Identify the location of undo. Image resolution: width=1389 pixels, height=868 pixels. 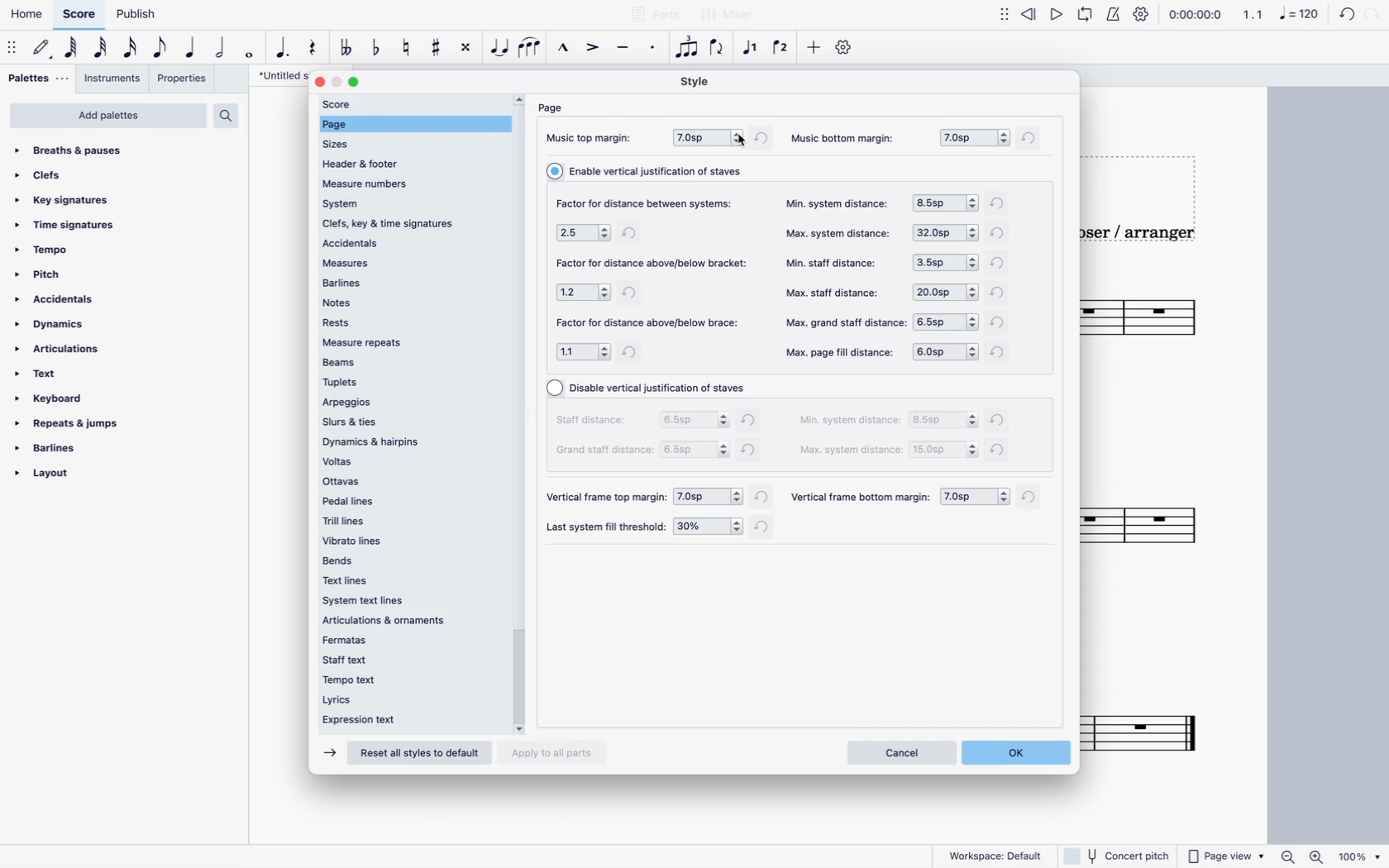
(1347, 17).